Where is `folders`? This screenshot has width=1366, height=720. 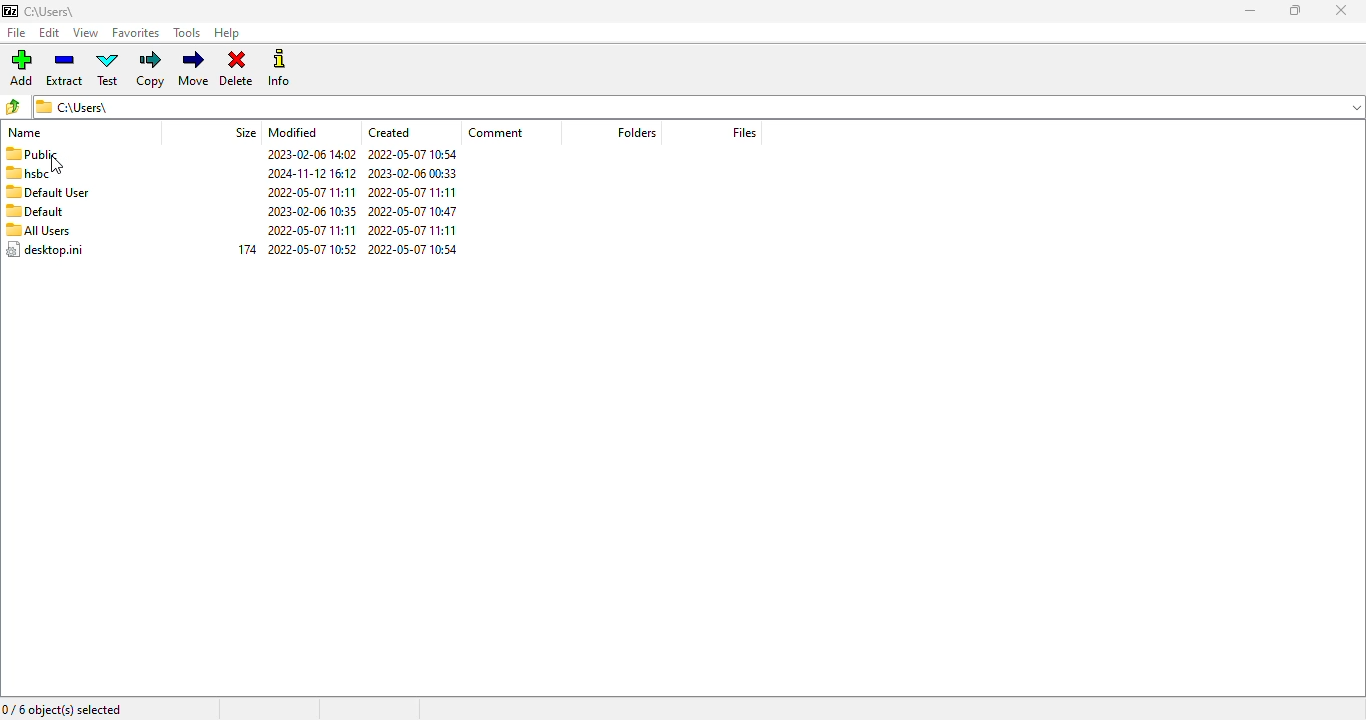 folders is located at coordinates (637, 132).